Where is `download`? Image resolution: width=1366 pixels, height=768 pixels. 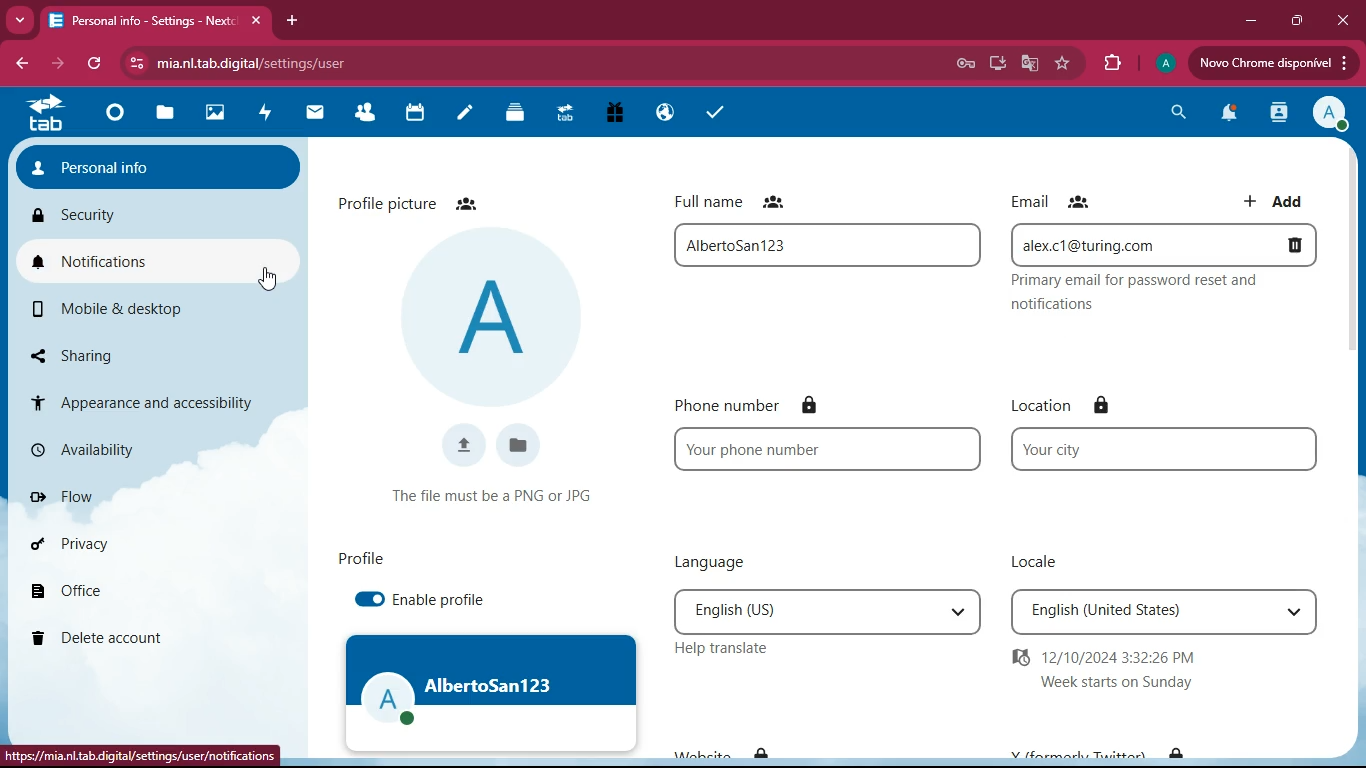 download is located at coordinates (466, 443).